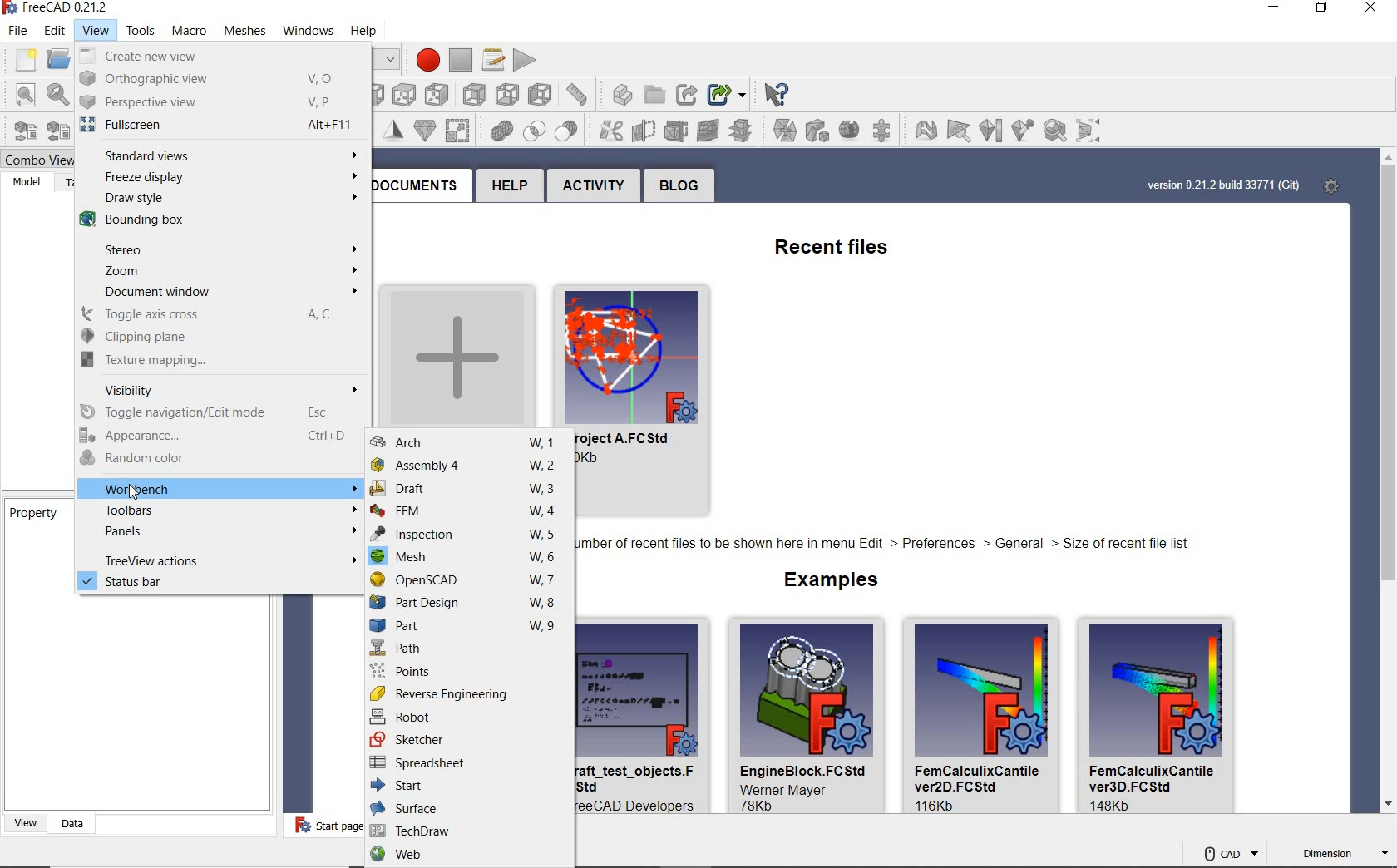 The image size is (1397, 868). Describe the element at coordinates (1334, 185) in the screenshot. I see `settings` at that location.